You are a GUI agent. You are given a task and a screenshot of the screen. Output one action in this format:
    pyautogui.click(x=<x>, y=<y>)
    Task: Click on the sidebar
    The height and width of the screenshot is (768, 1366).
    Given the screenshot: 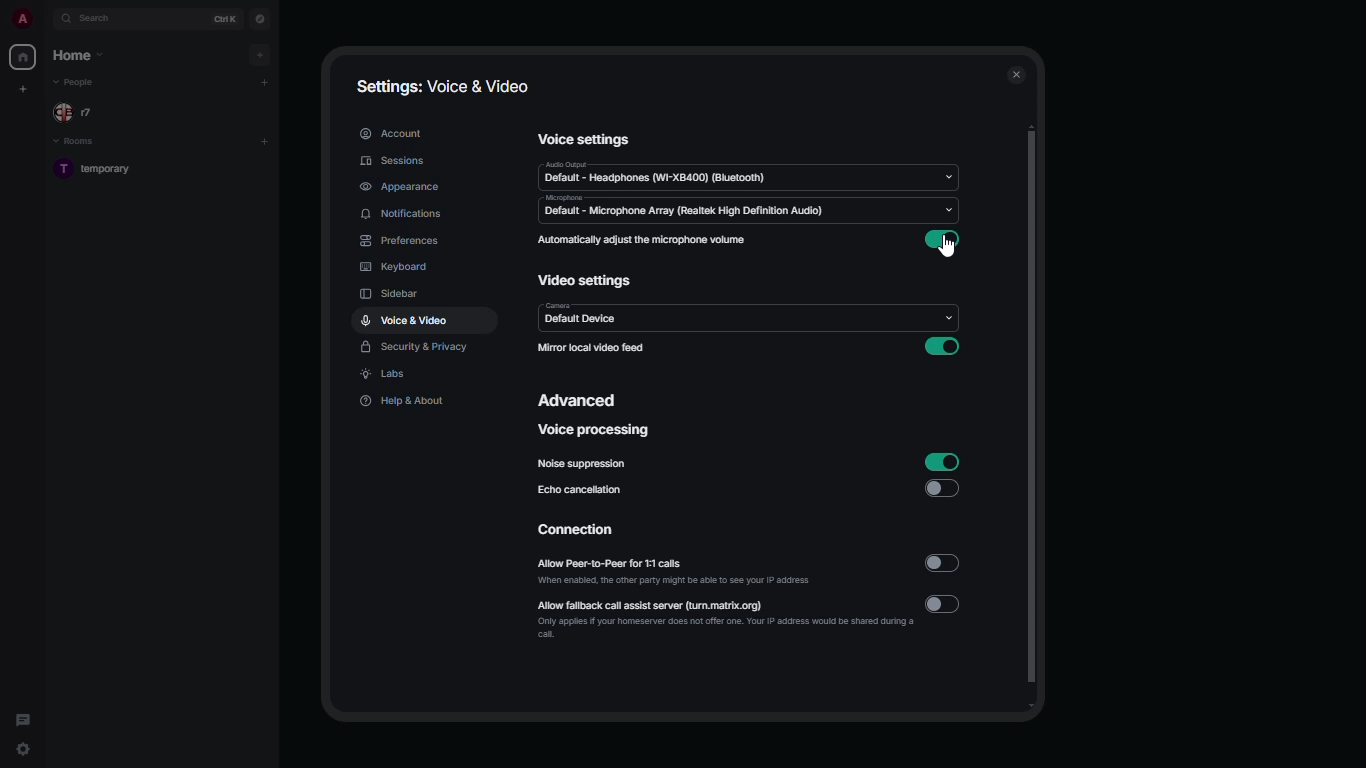 What is the action you would take?
    pyautogui.click(x=391, y=294)
    